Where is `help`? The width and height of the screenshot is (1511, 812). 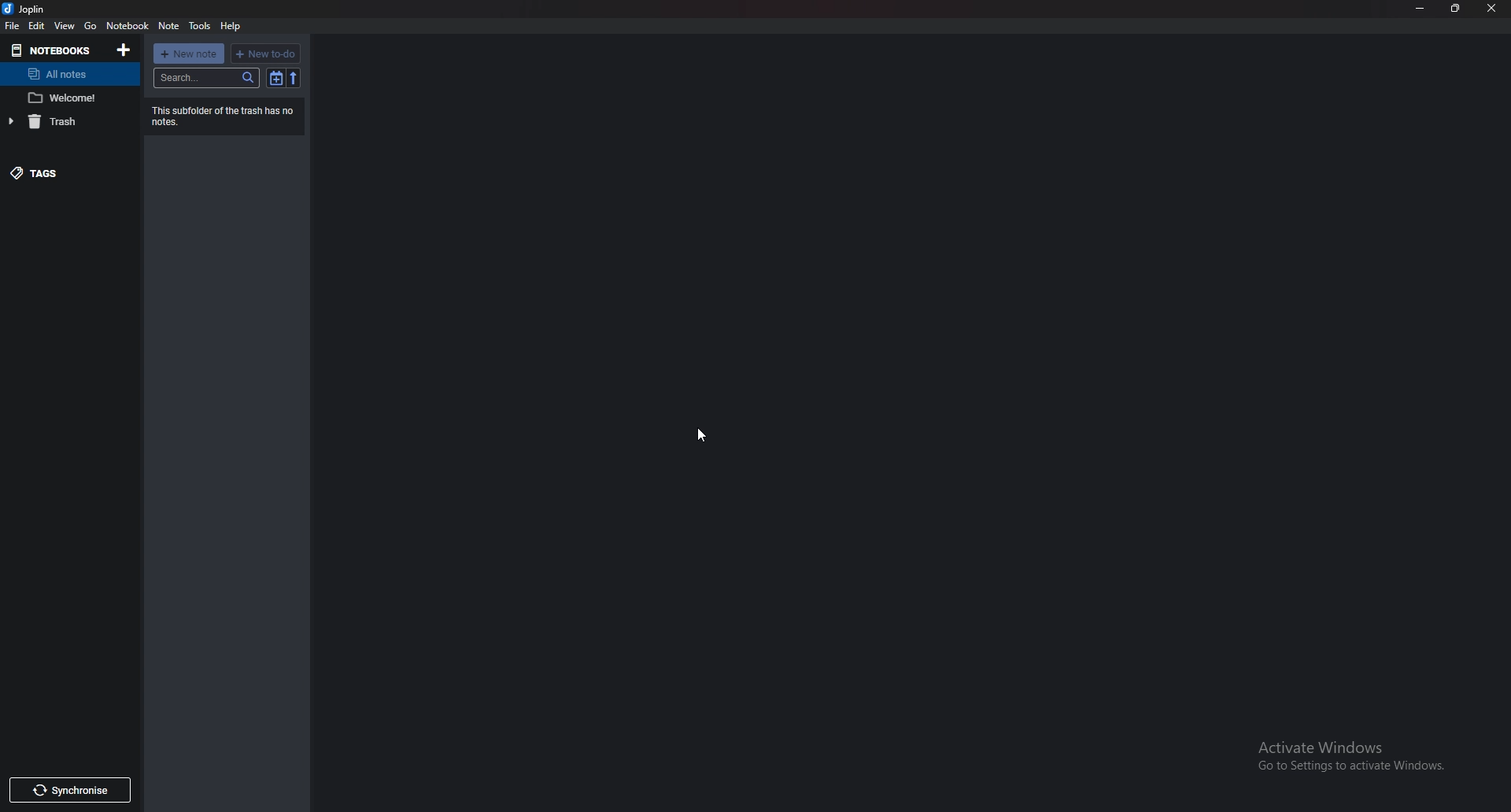
help is located at coordinates (232, 27).